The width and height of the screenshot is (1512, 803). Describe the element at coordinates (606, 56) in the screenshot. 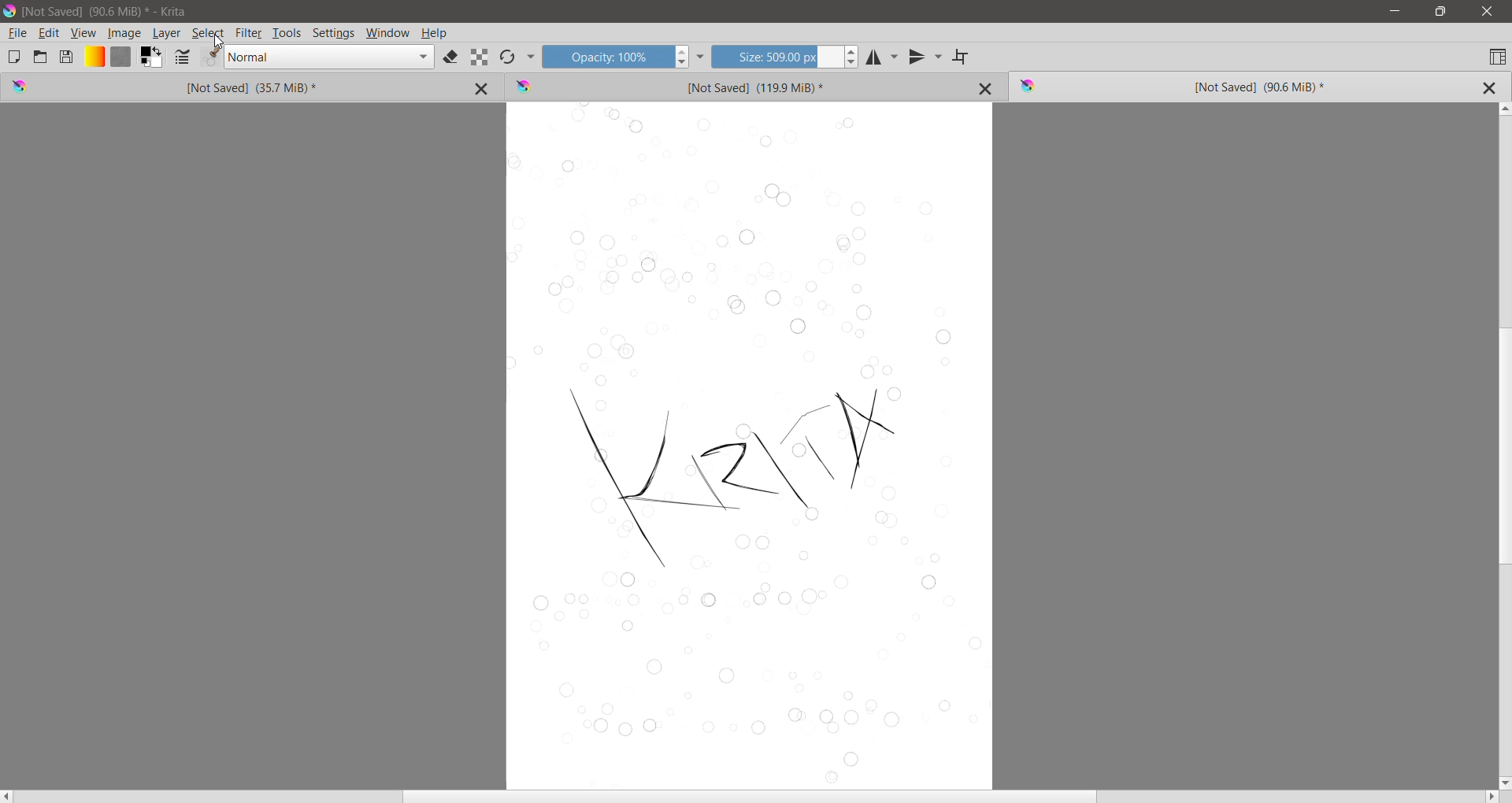

I see `Opacity input` at that location.